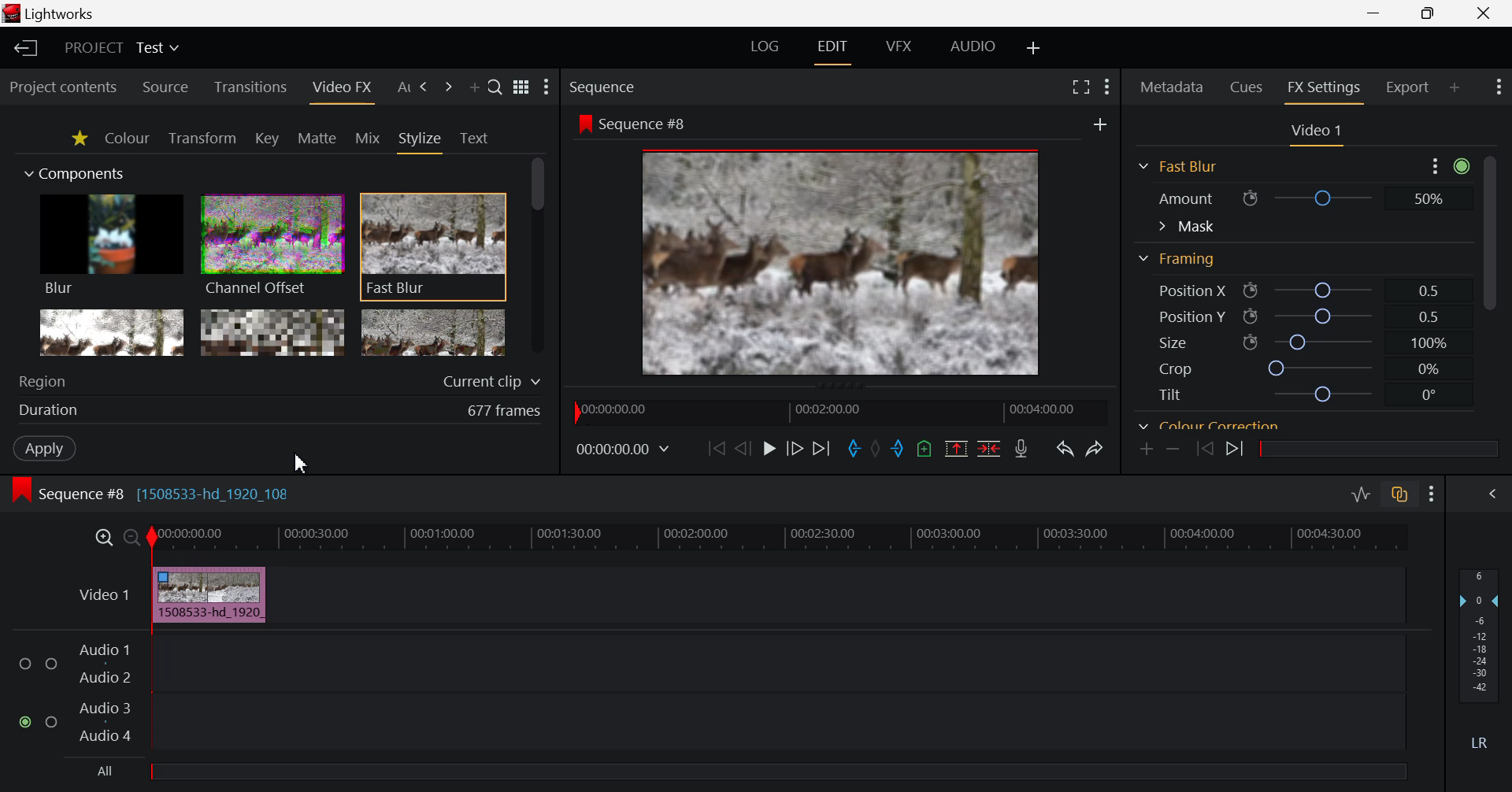  Describe the element at coordinates (421, 87) in the screenshot. I see `Next Panel` at that location.